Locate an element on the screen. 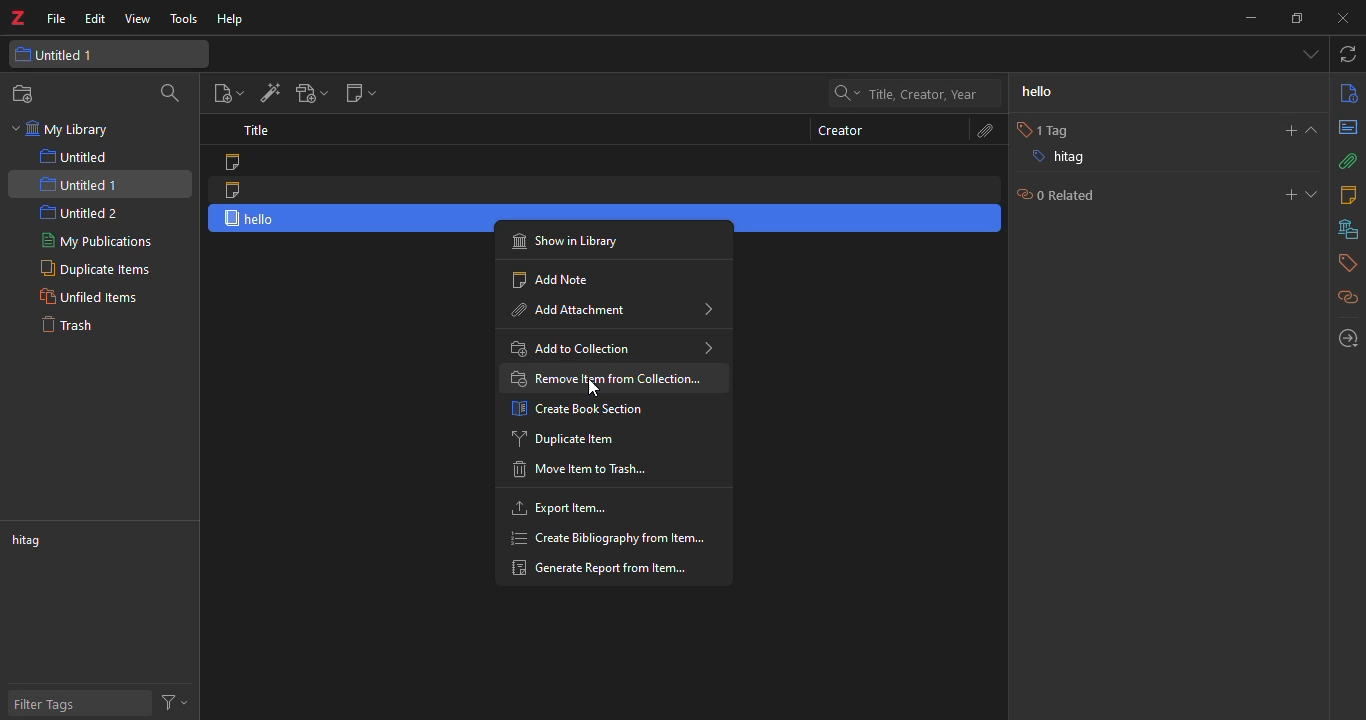  add attachment is located at coordinates (306, 92).